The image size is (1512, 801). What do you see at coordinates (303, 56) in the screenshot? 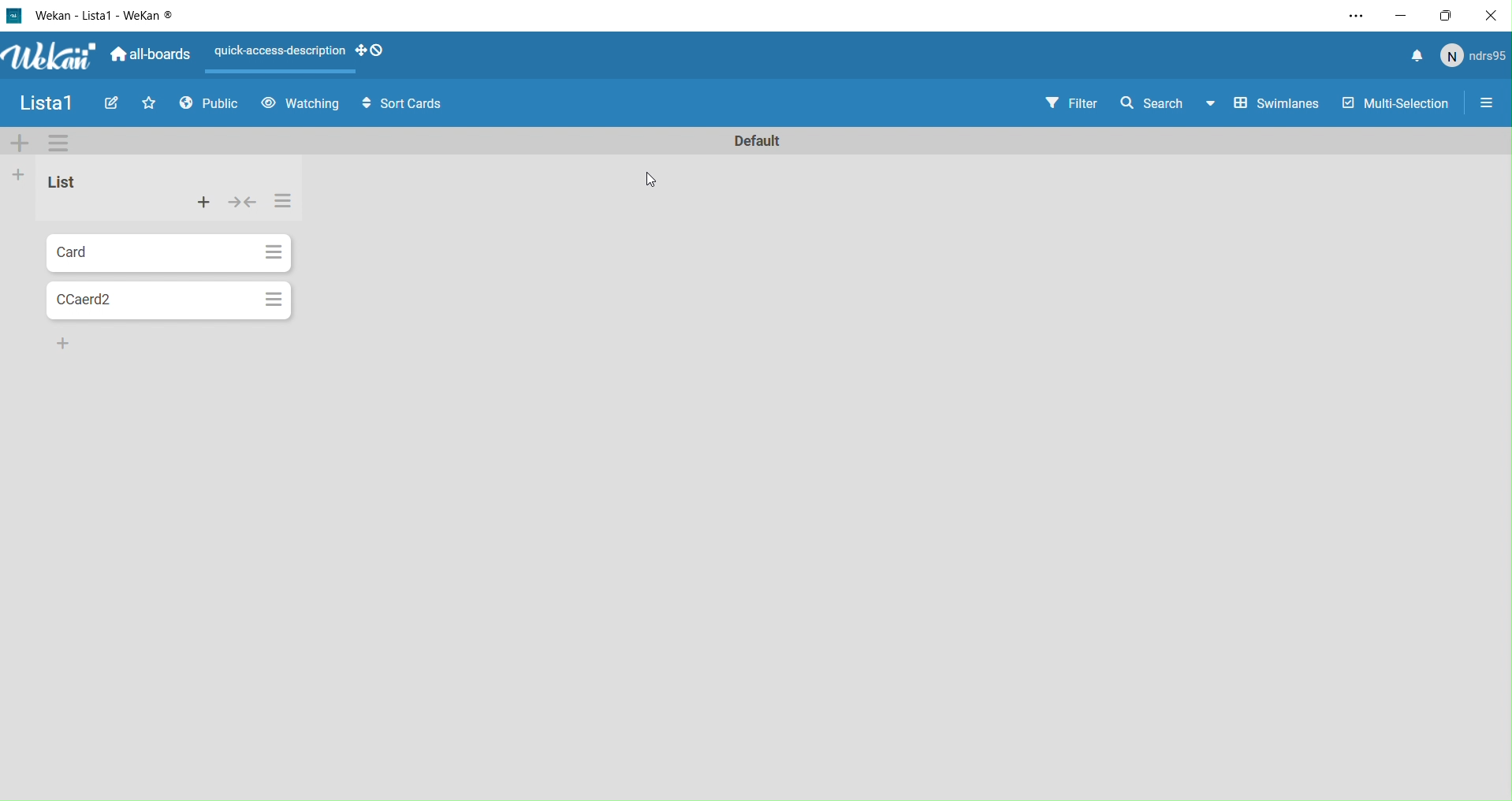
I see `Layout options` at bounding box center [303, 56].